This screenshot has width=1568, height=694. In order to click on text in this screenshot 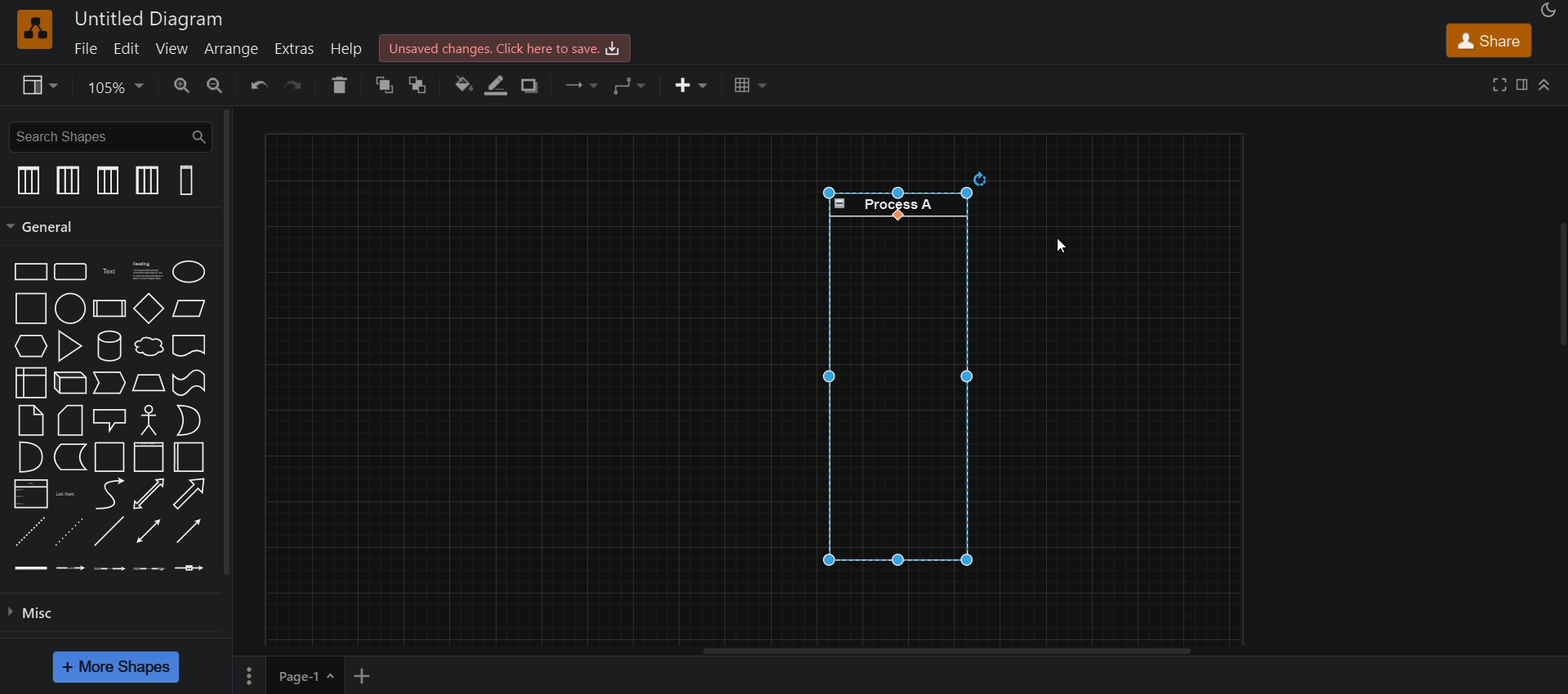, I will do `click(109, 269)`.